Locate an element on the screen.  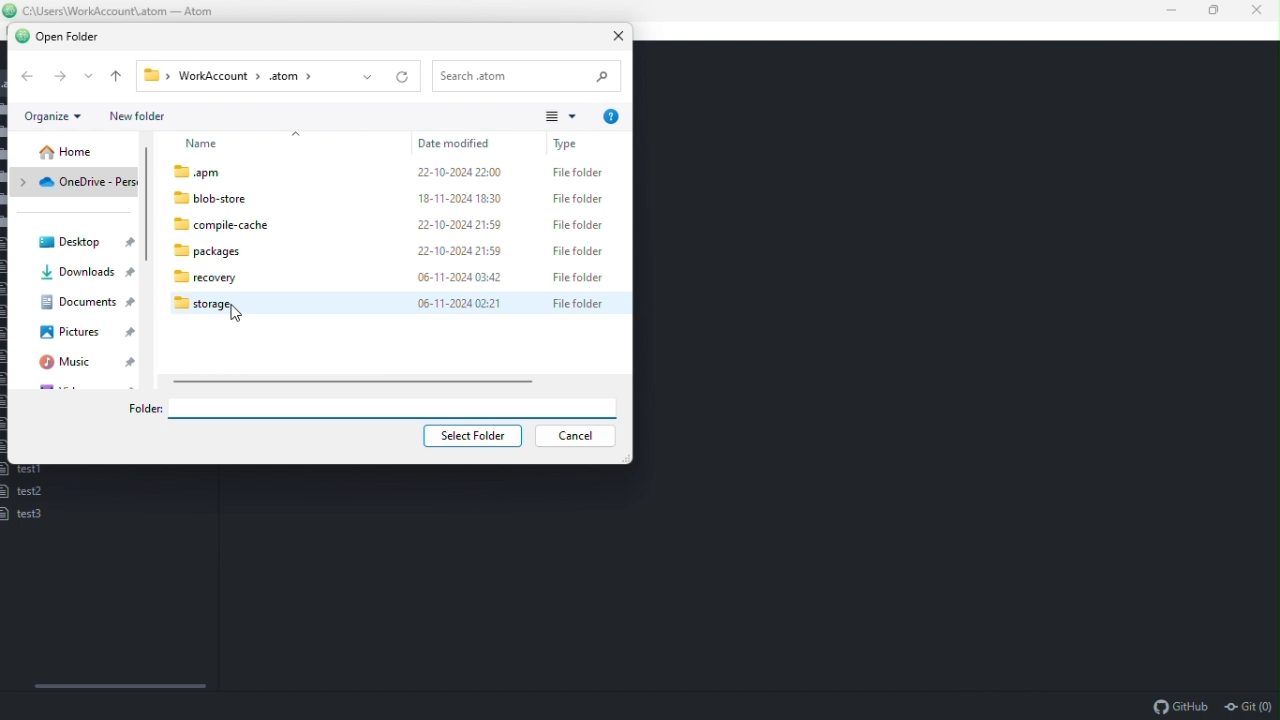
Documents is located at coordinates (86, 302).